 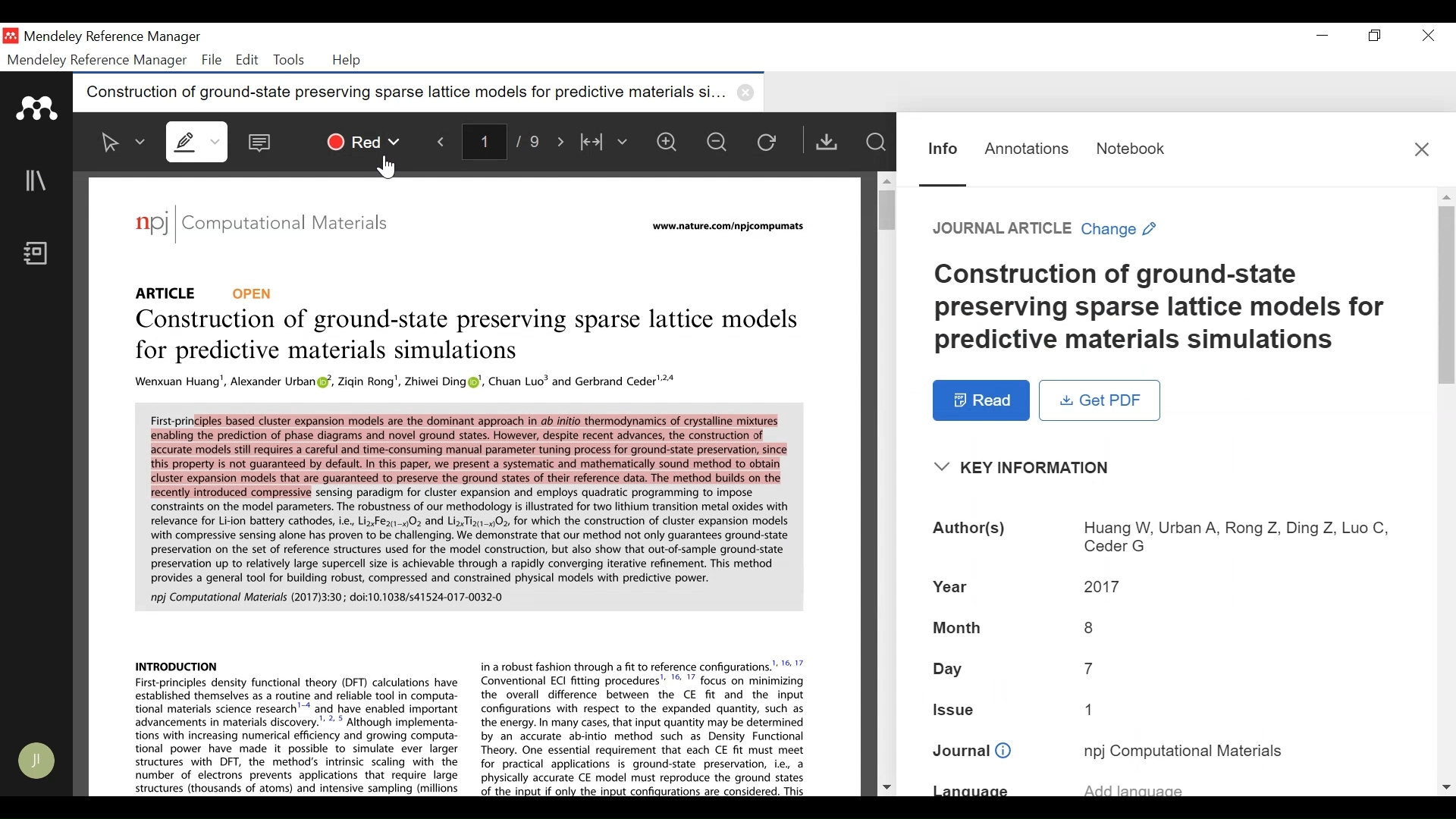 What do you see at coordinates (404, 91) in the screenshot?
I see `Construction of ground-state preserving sparse  lattice models for predictive materials si...` at bounding box center [404, 91].